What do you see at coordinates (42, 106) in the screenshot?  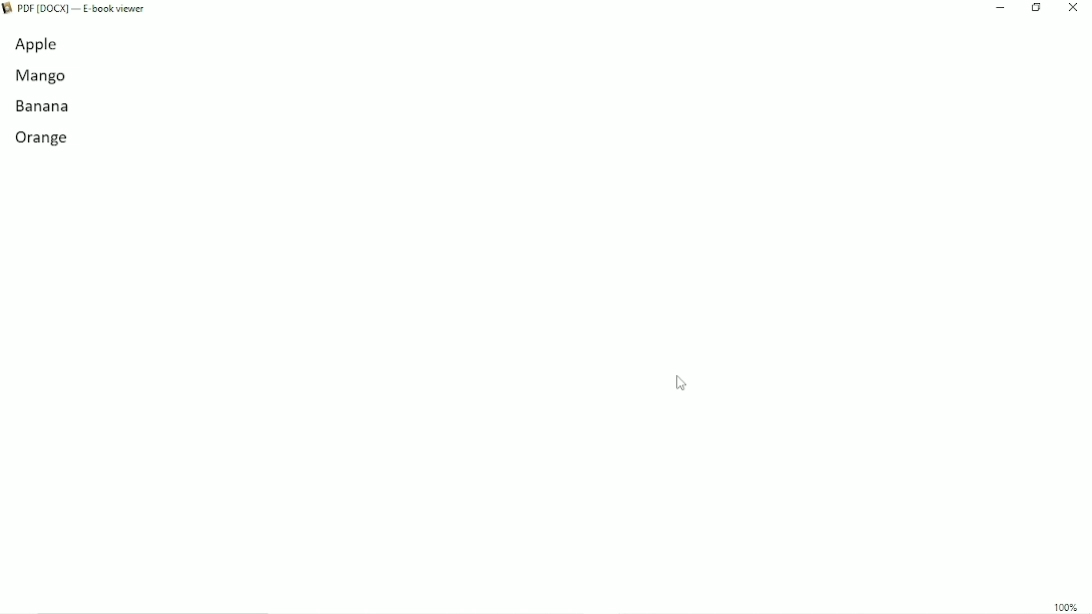 I see `banana` at bounding box center [42, 106].